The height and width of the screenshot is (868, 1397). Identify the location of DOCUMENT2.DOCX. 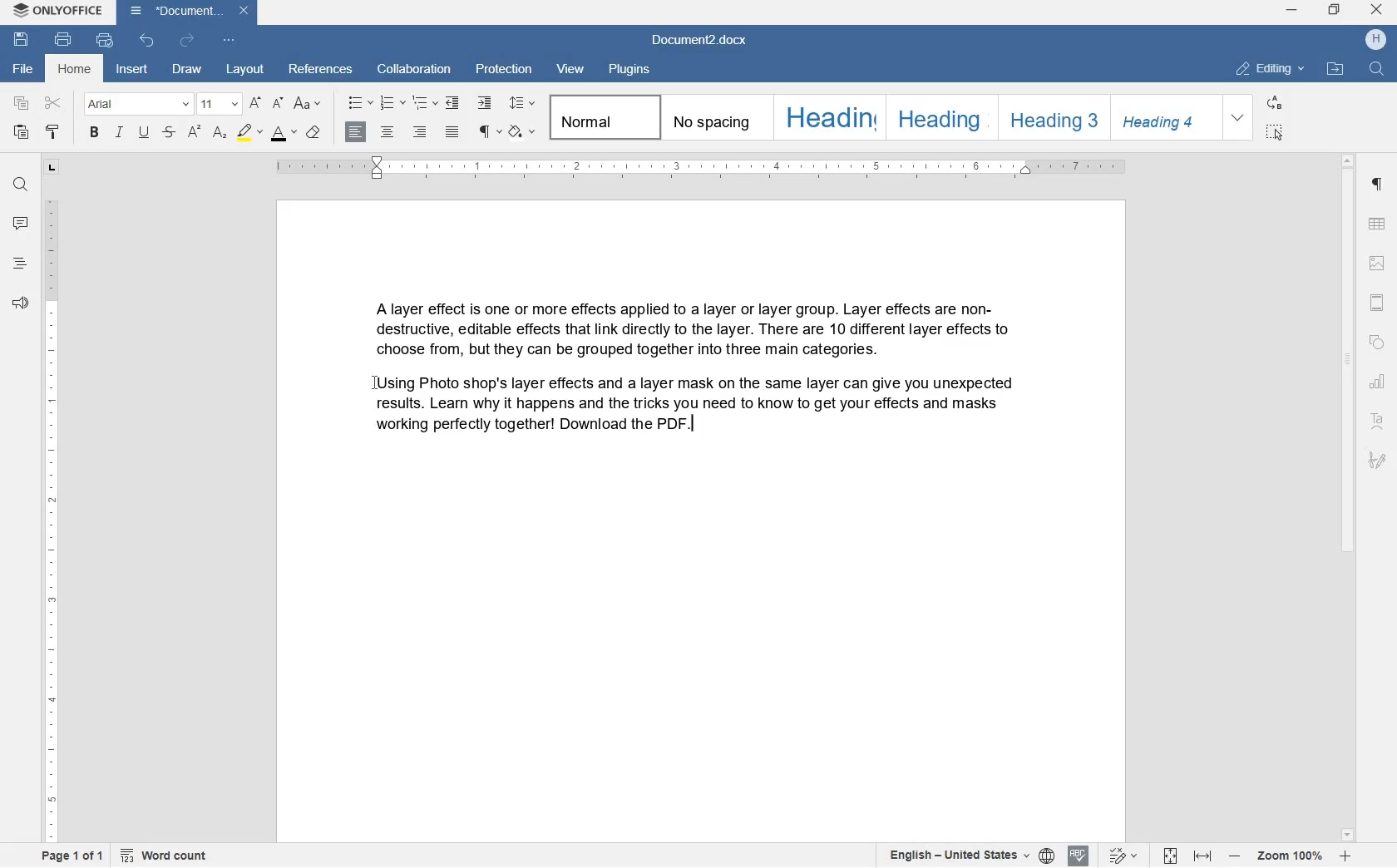
(188, 13).